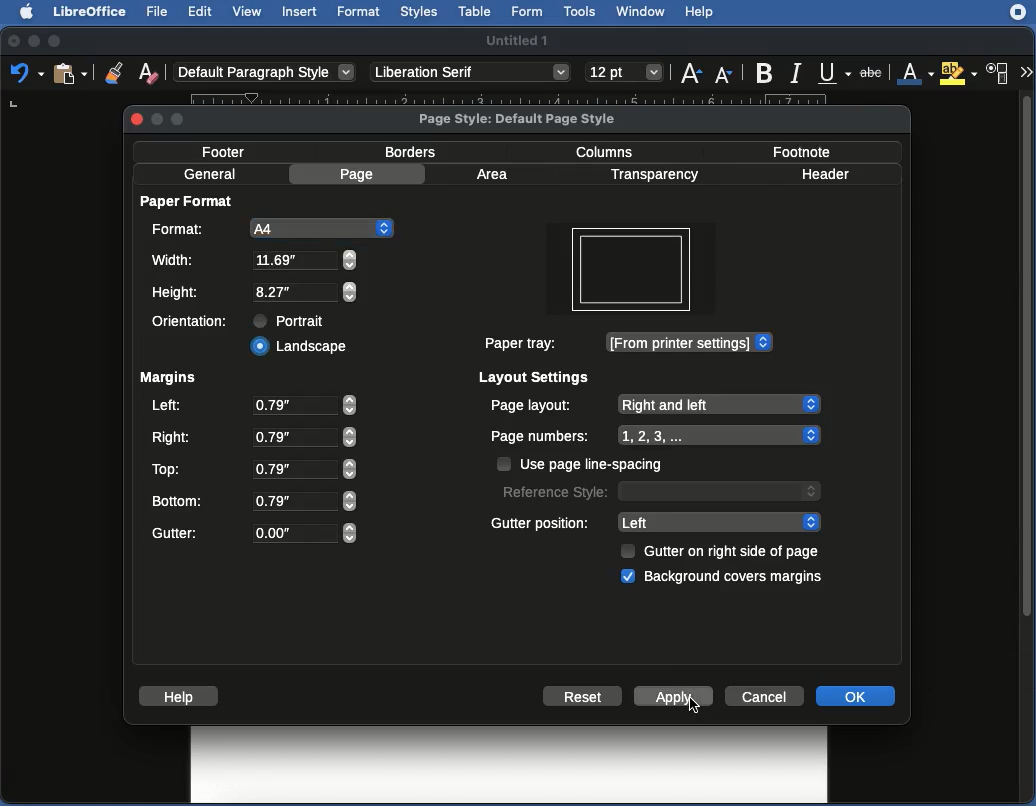 The image size is (1036, 806). What do you see at coordinates (600, 464) in the screenshot?
I see `Page line spacing ` at bounding box center [600, 464].